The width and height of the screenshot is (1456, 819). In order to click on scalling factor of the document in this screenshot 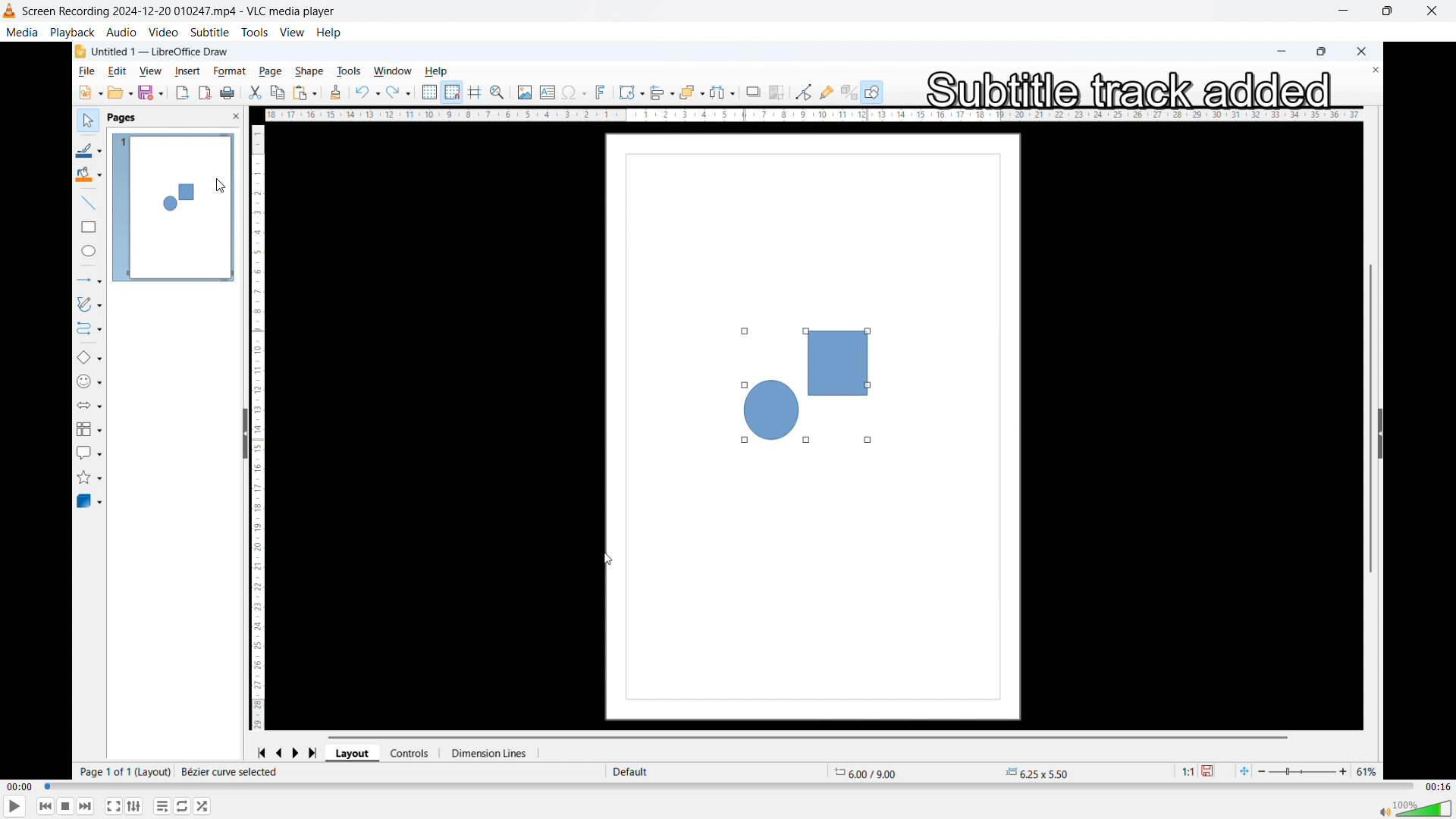, I will do `click(1184, 773)`.